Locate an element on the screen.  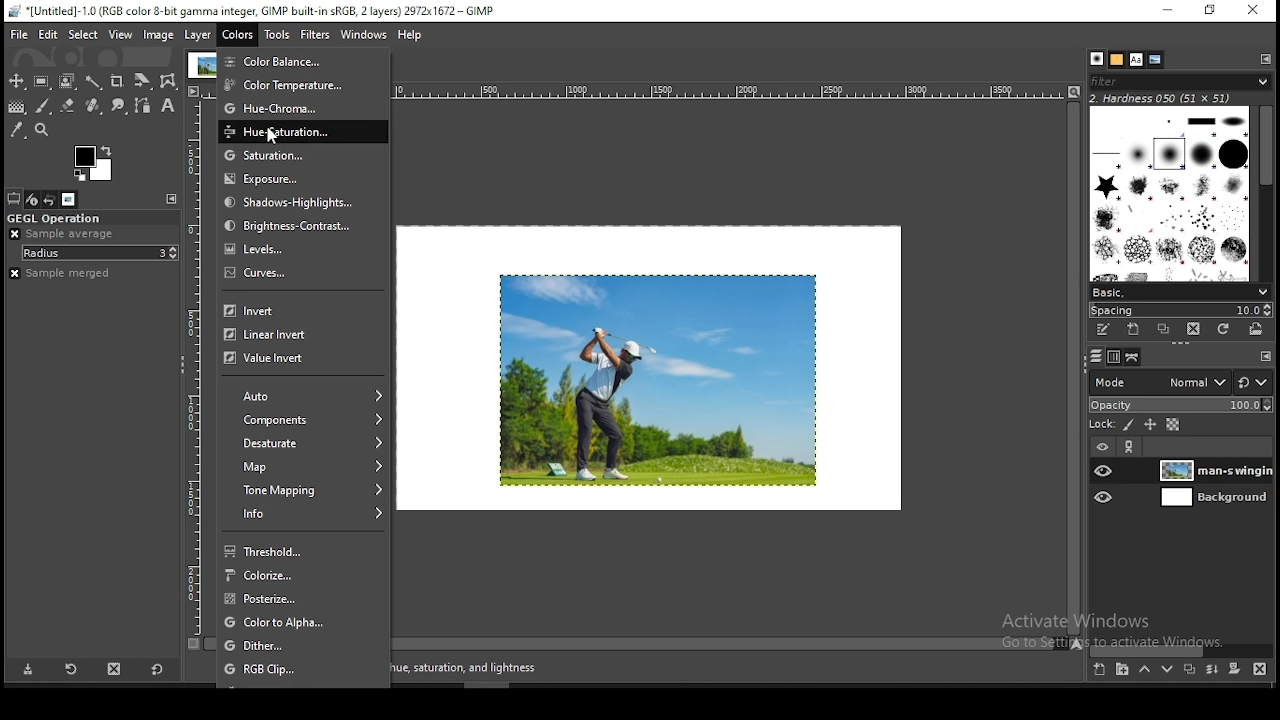
undo history is located at coordinates (52, 200).